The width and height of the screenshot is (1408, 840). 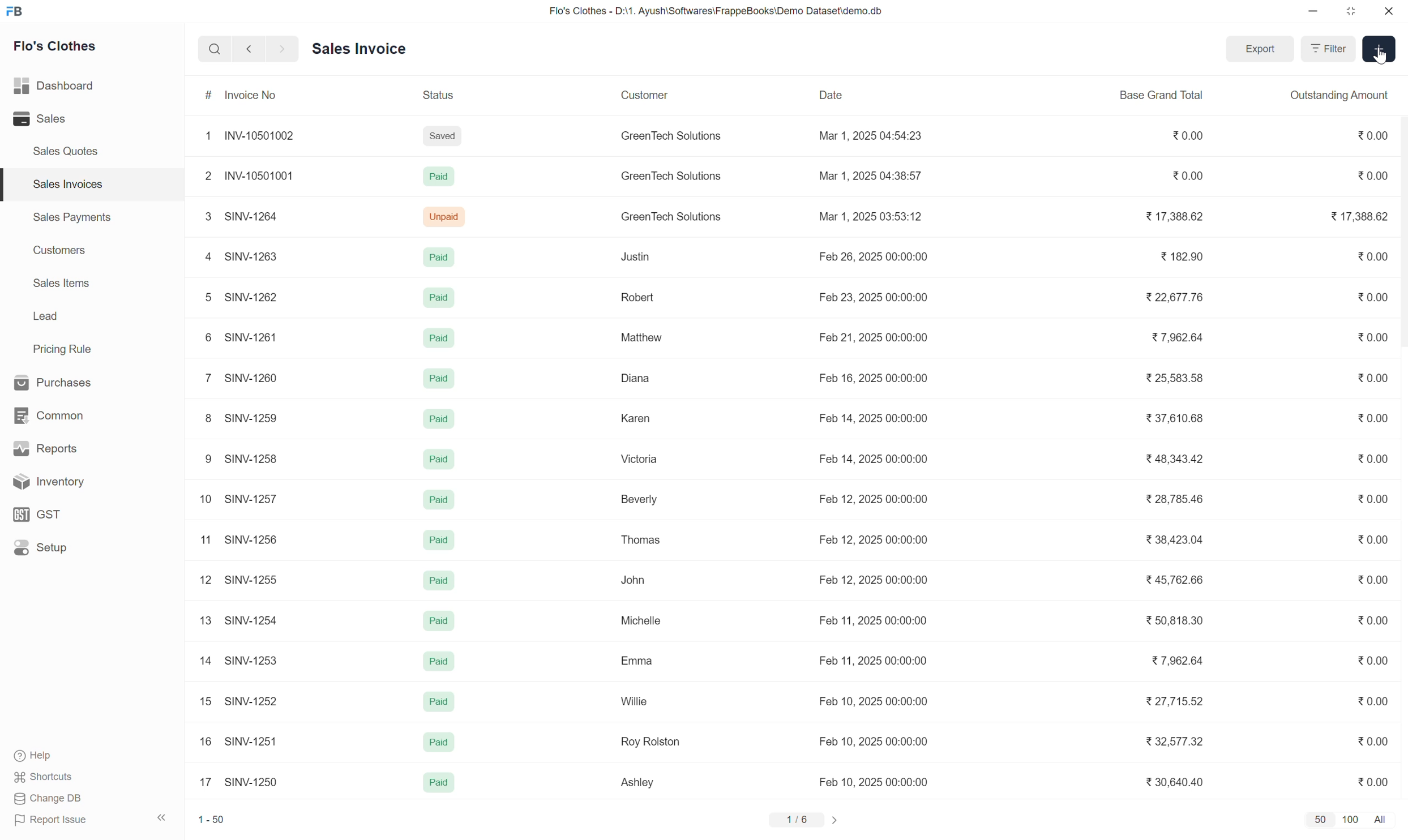 I want to click on John, so click(x=637, y=579).